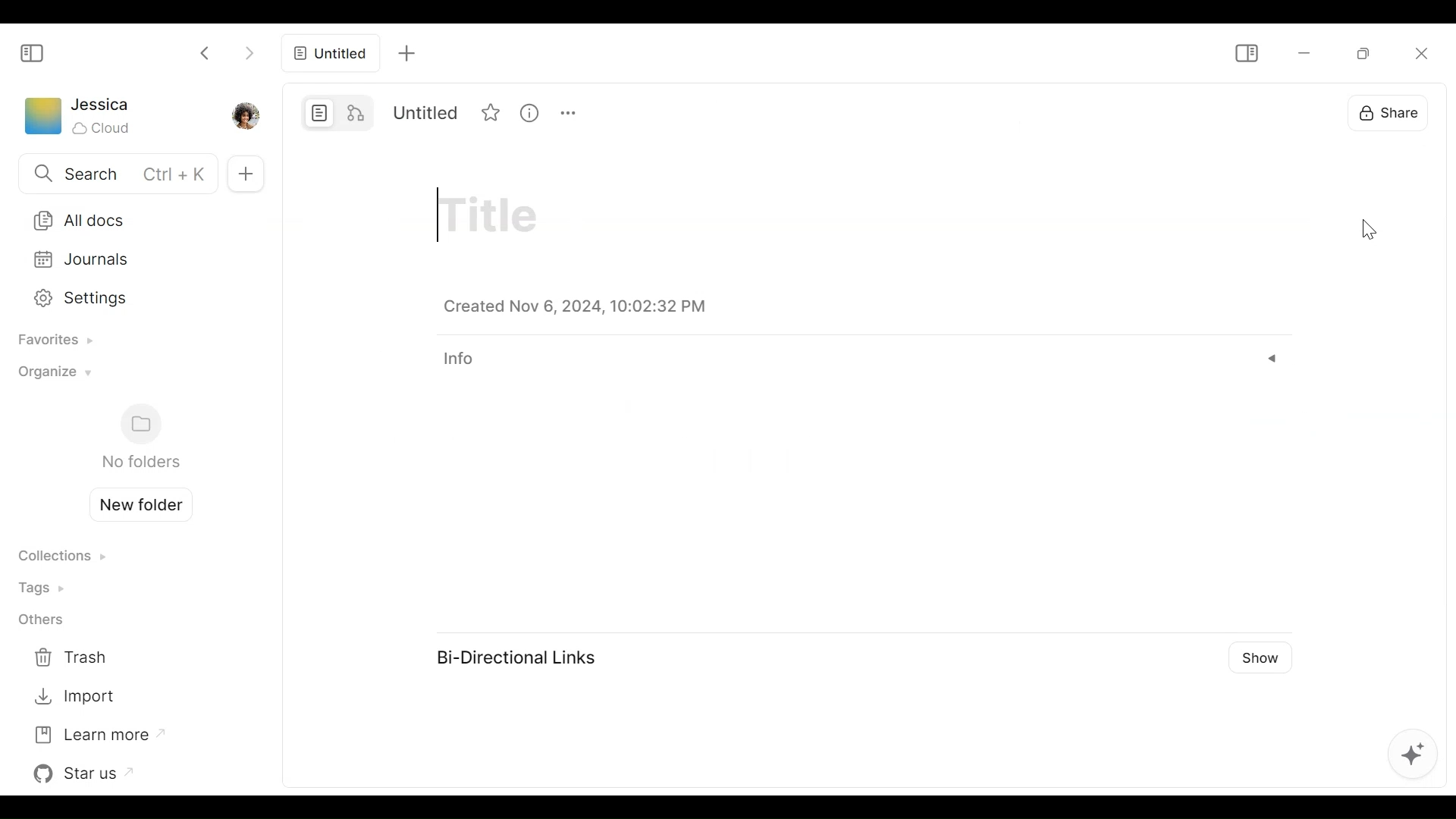 The width and height of the screenshot is (1456, 819). Describe the element at coordinates (102, 105) in the screenshot. I see `Username` at that location.